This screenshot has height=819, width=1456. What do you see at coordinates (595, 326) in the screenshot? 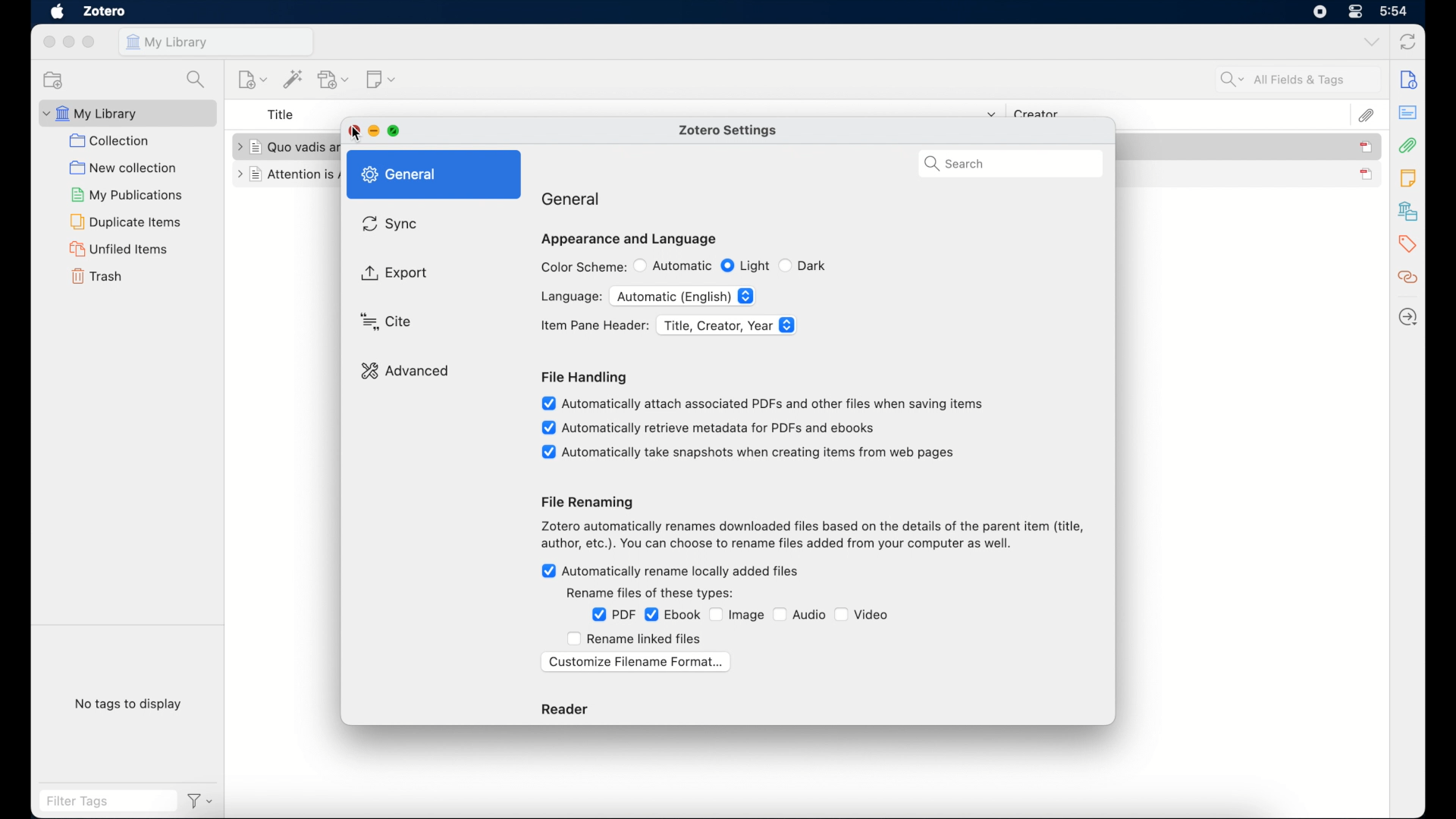
I see `item pane header` at bounding box center [595, 326].